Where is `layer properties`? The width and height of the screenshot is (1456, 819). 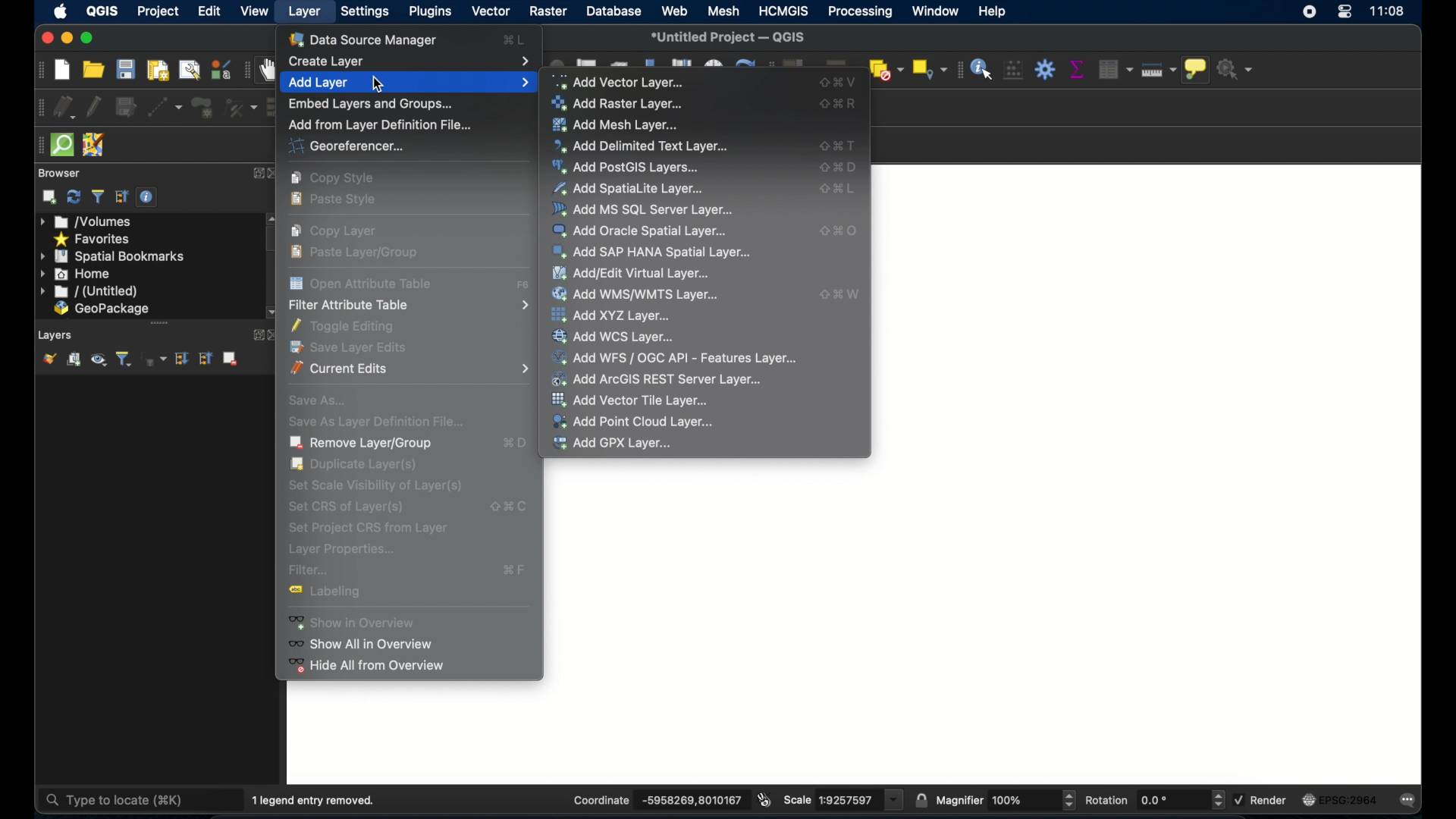 layer properties is located at coordinates (342, 550).